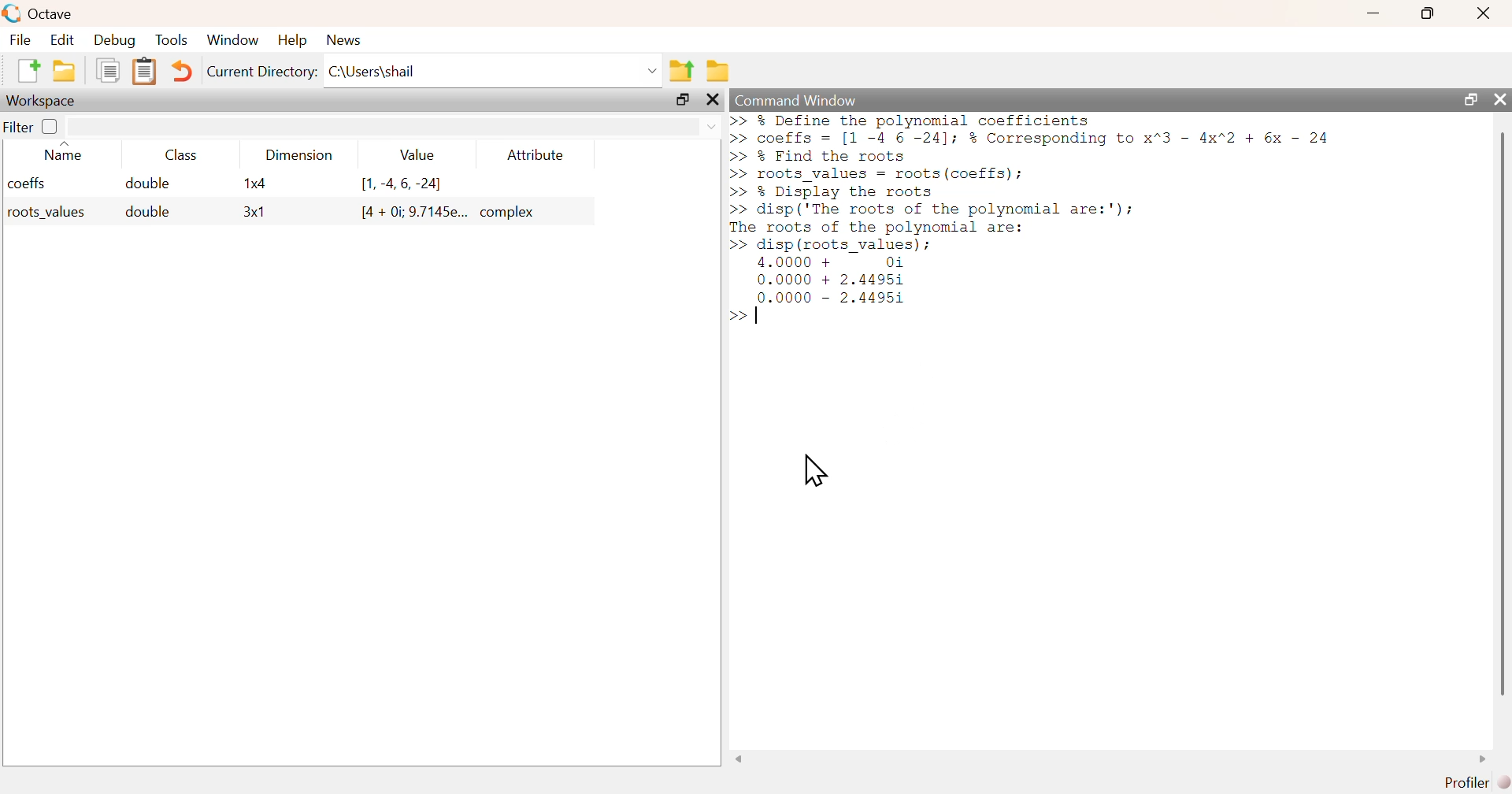  I want to click on Help, so click(291, 41).